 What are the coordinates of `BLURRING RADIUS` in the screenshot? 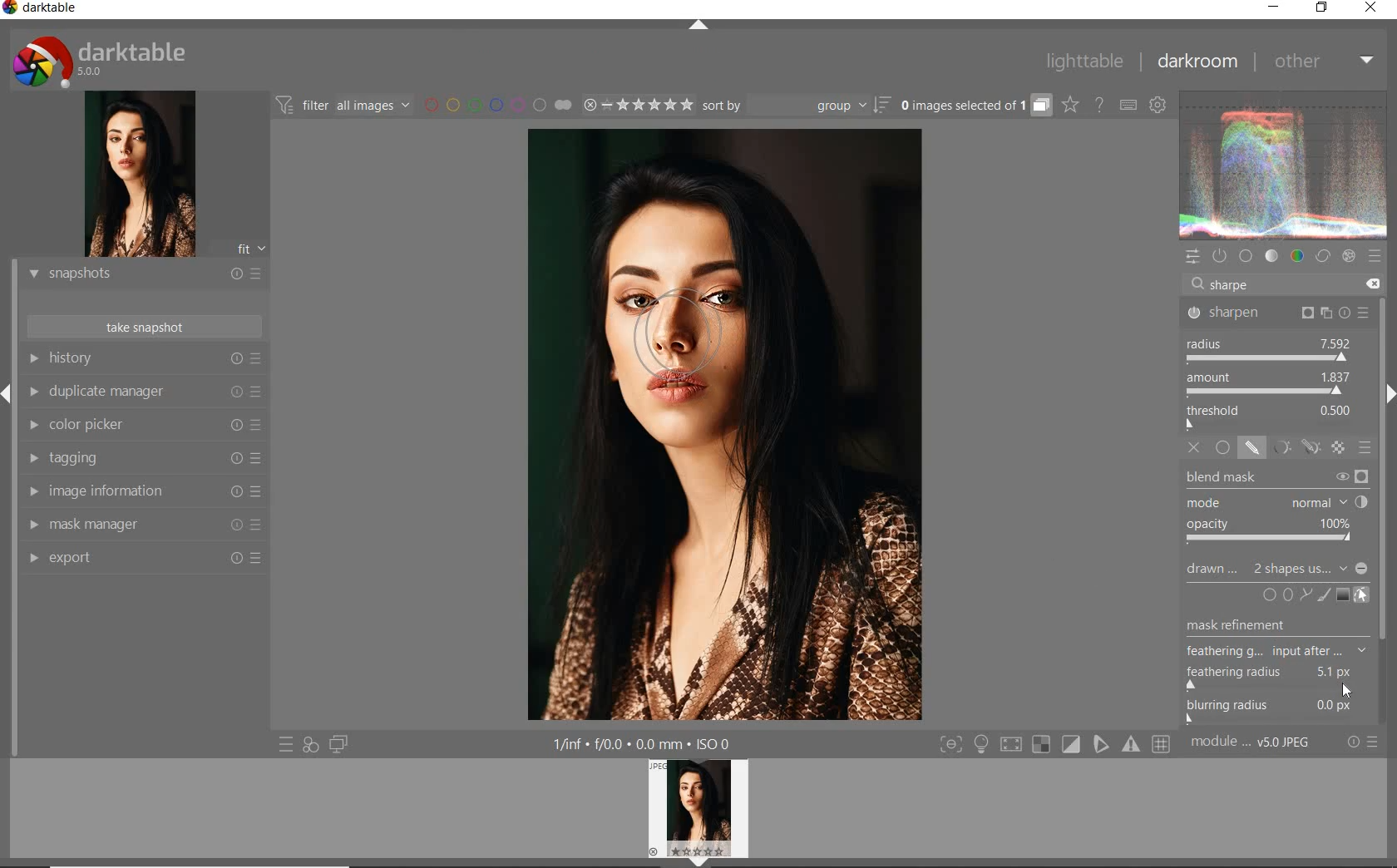 It's located at (1281, 710).